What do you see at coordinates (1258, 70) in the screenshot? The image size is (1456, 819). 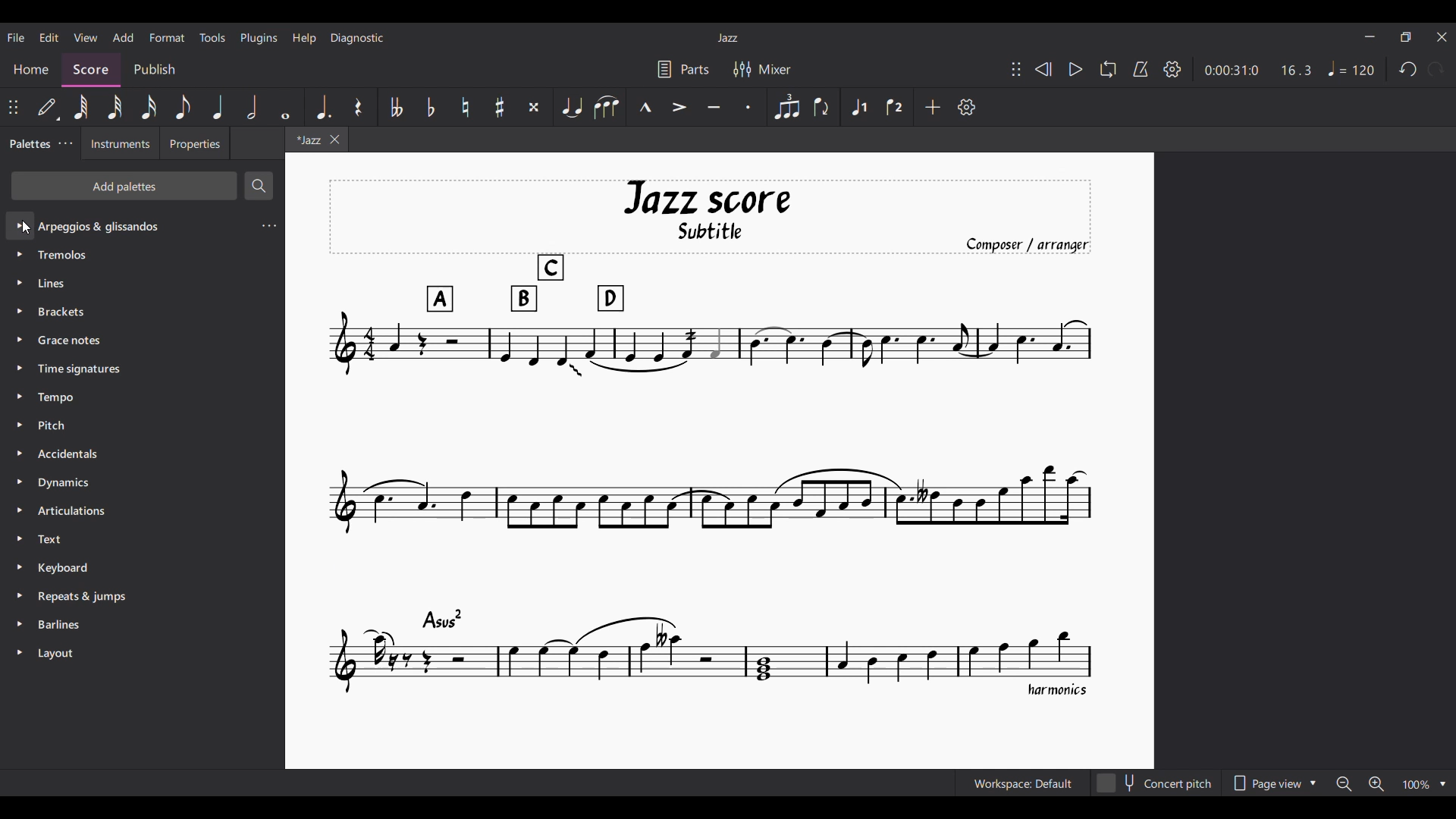 I see `Duration and ratio` at bounding box center [1258, 70].